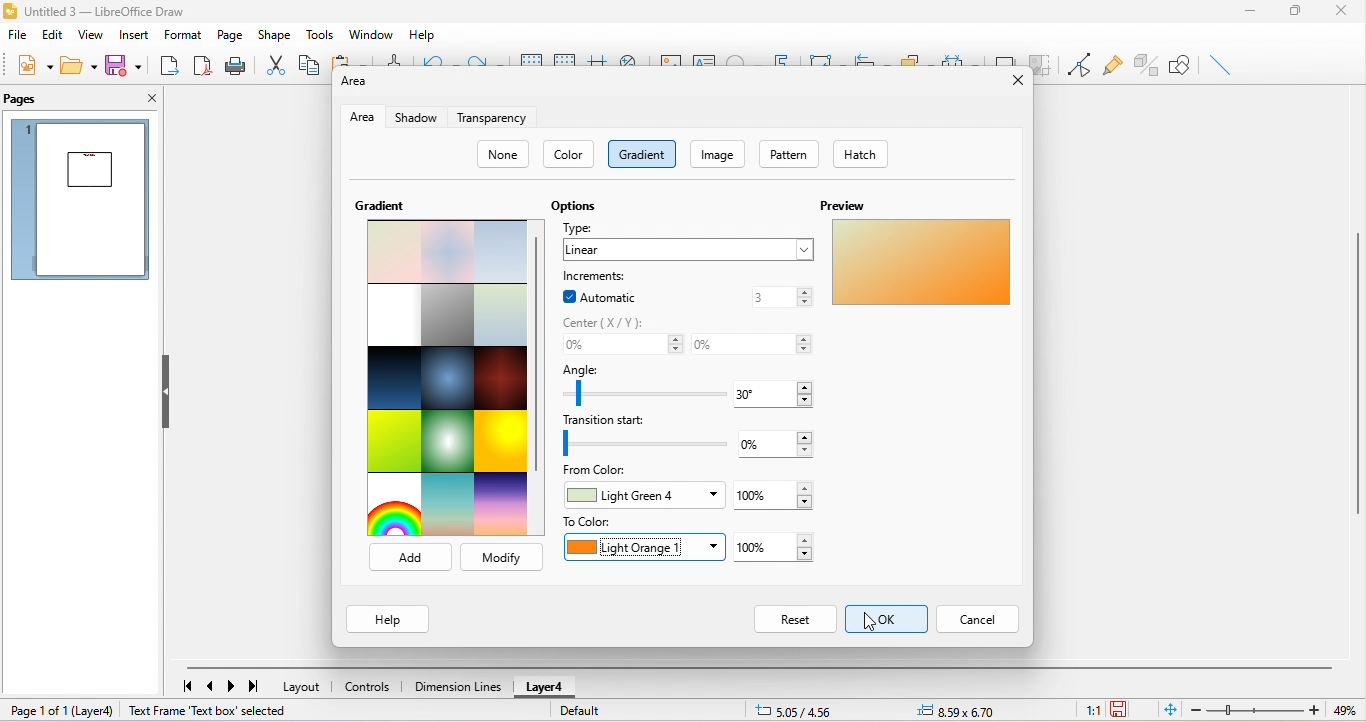 The width and height of the screenshot is (1366, 722). I want to click on copy, so click(310, 65).